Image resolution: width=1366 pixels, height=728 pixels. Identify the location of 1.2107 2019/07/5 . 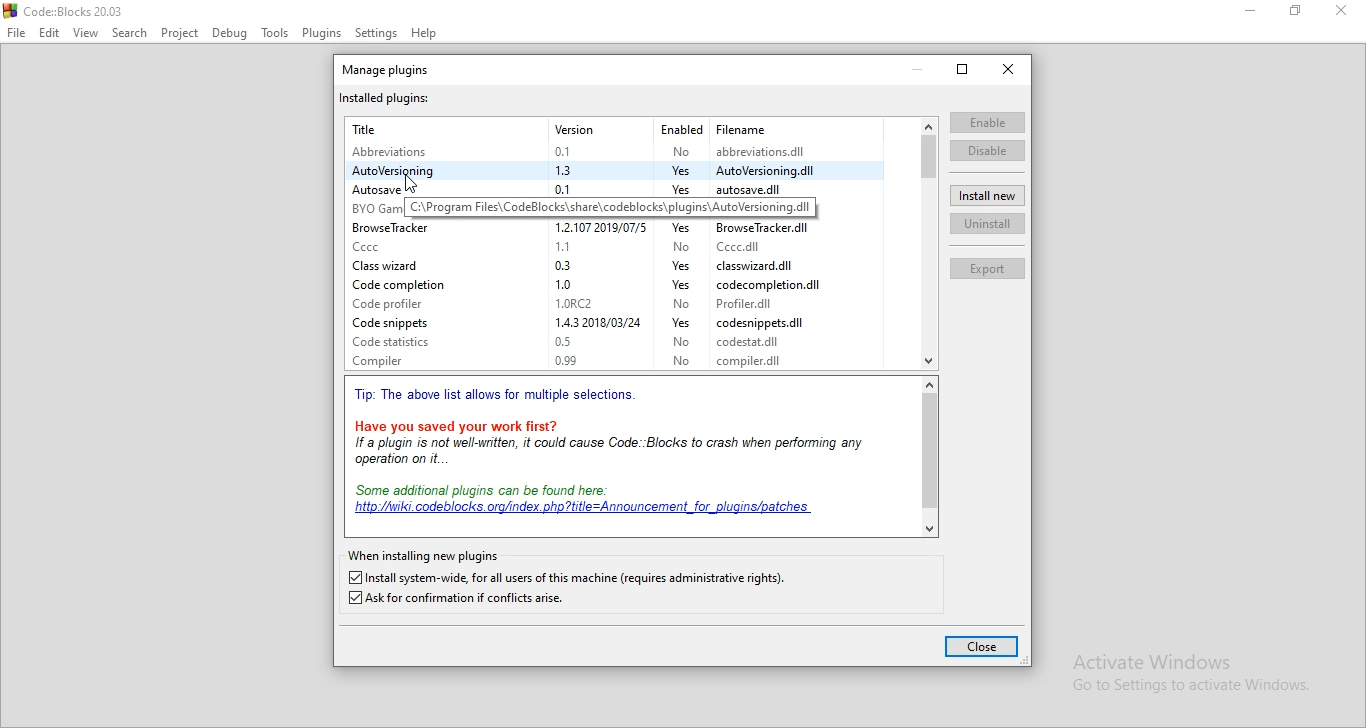
(595, 227).